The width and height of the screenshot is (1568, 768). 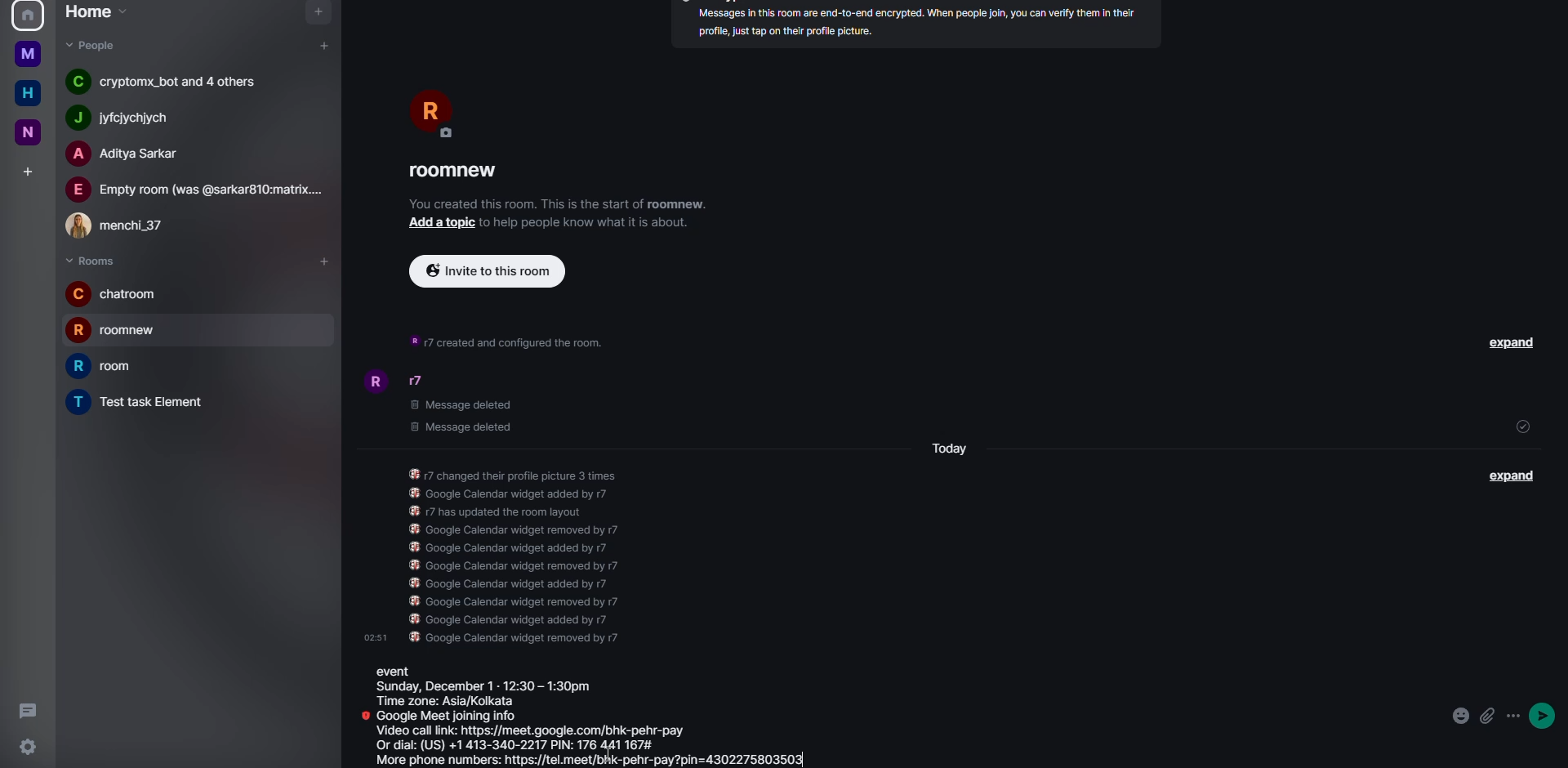 I want to click on inf0, so click(x=918, y=23).